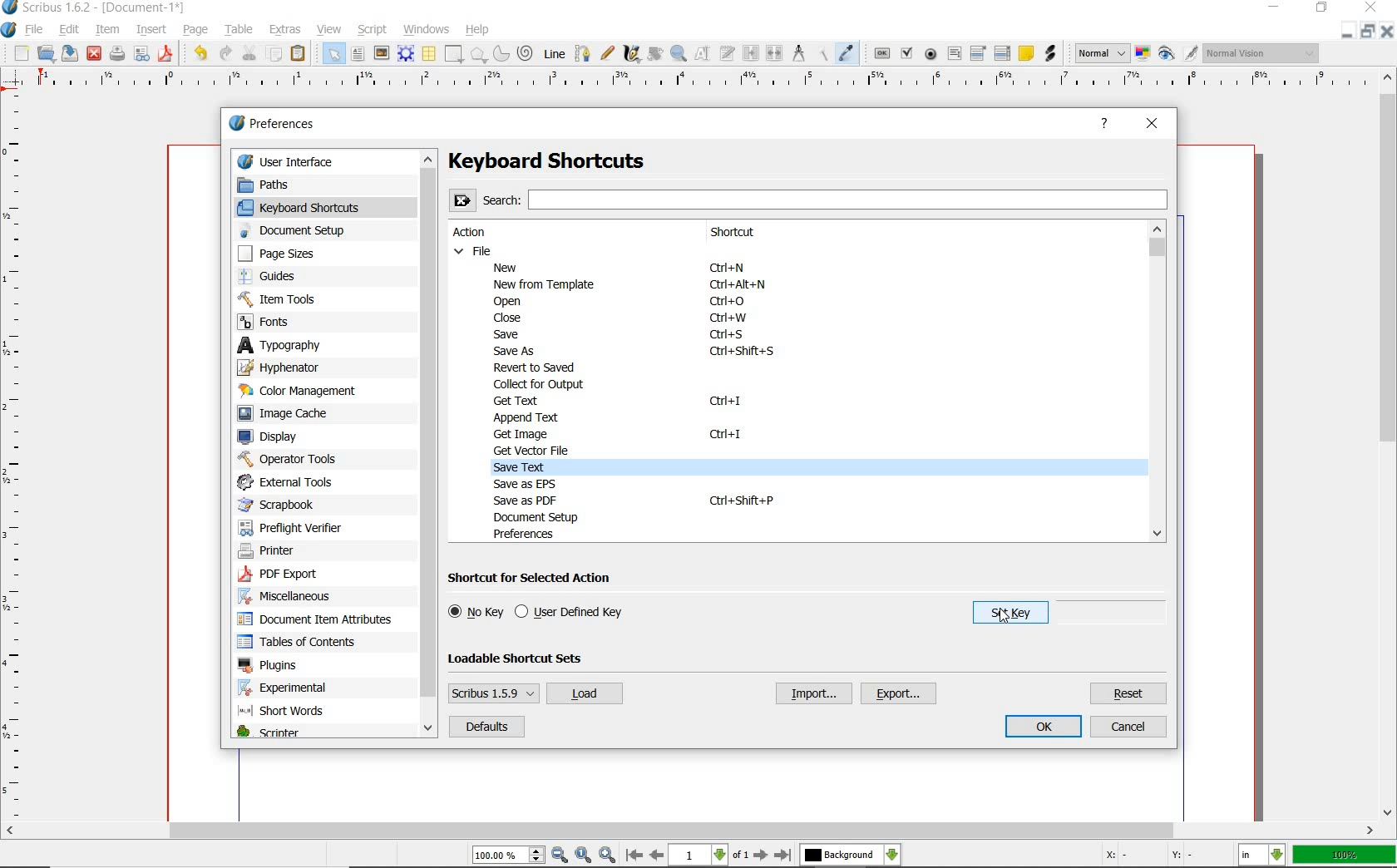 The width and height of the screenshot is (1397, 868). What do you see at coordinates (430, 55) in the screenshot?
I see `table` at bounding box center [430, 55].